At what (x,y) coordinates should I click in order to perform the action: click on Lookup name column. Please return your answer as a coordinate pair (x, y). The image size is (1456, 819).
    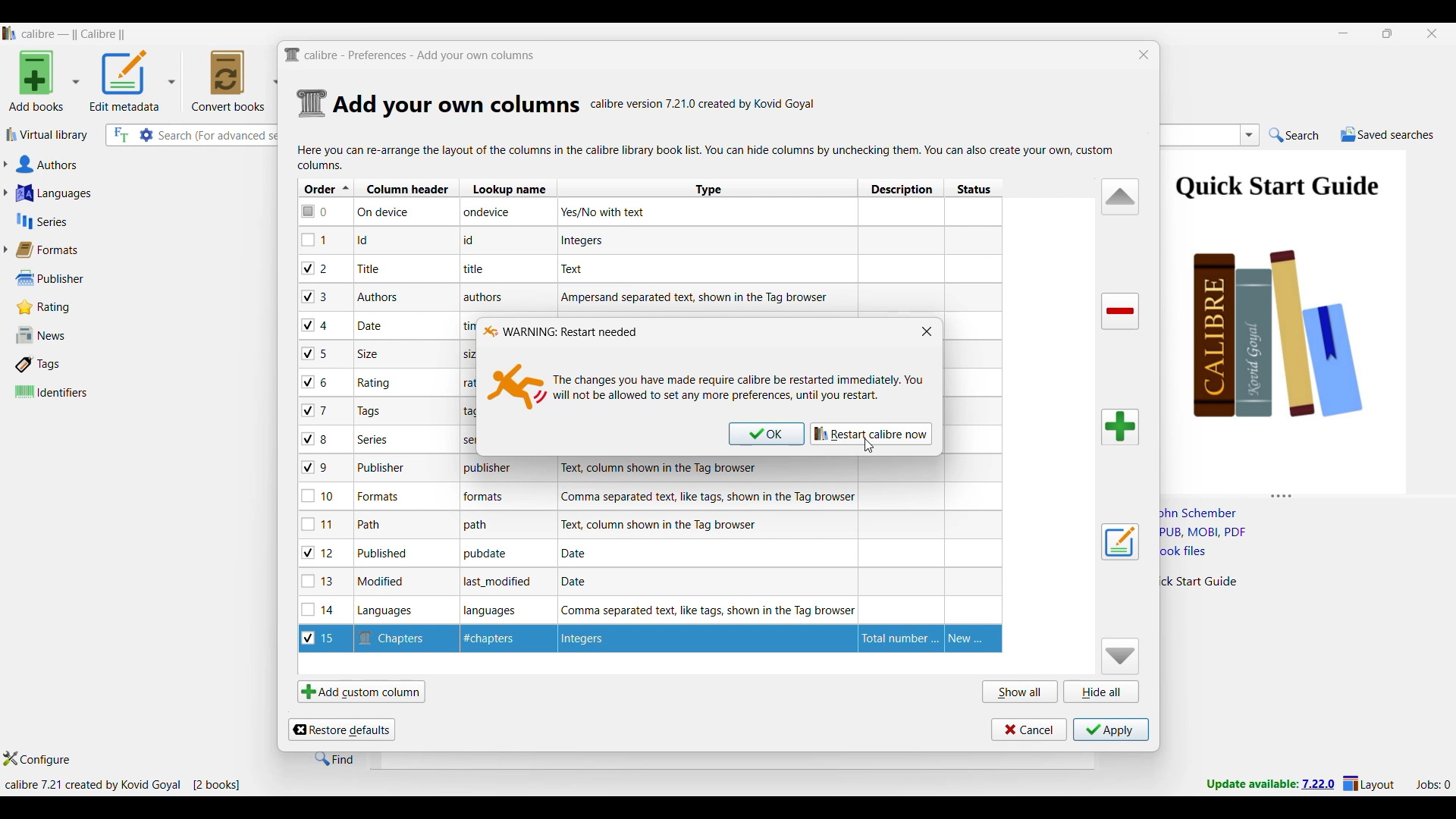
    Looking at the image, I should click on (507, 187).